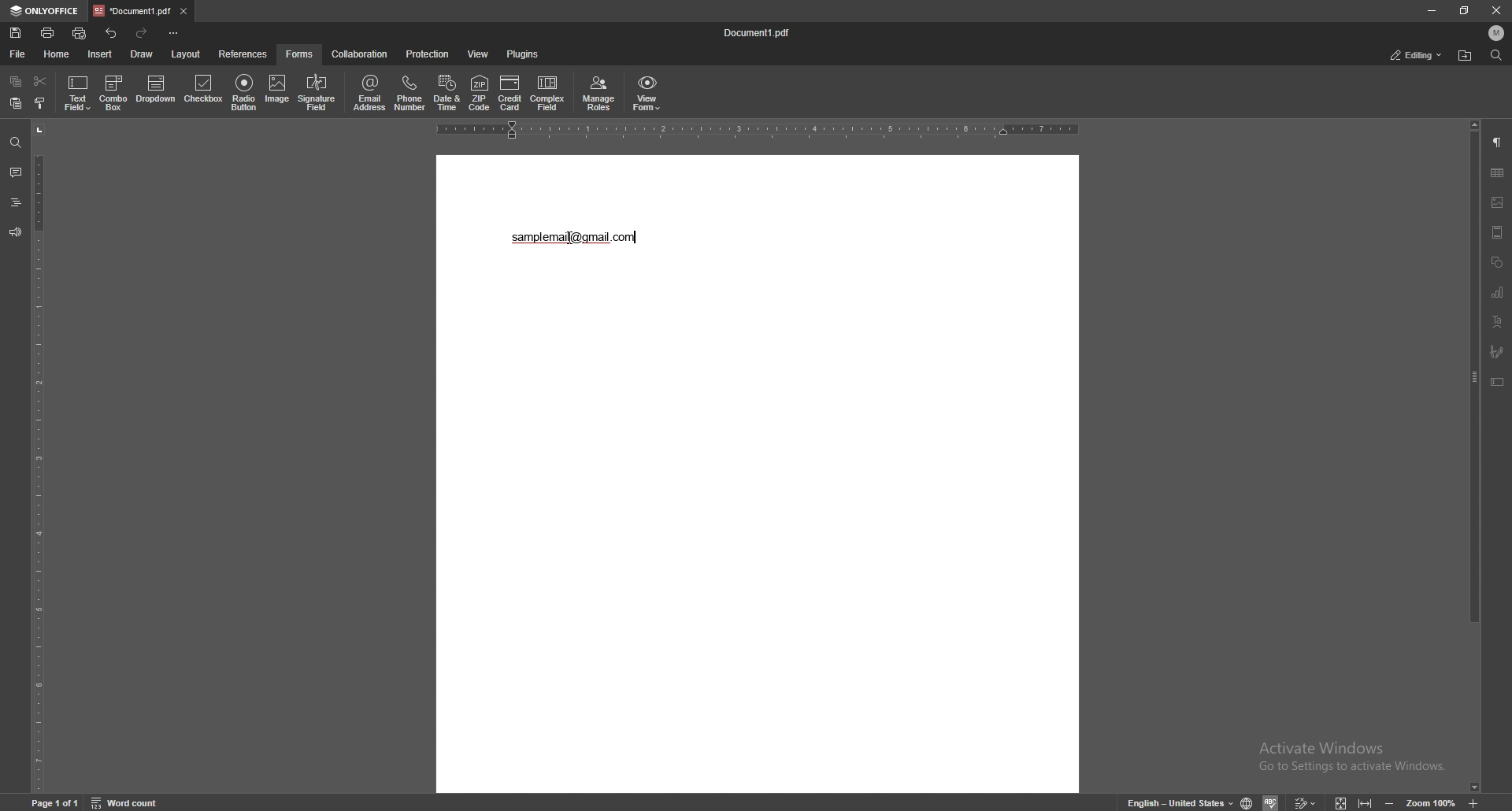 The width and height of the screenshot is (1512, 811). I want to click on vertical scale, so click(39, 457).